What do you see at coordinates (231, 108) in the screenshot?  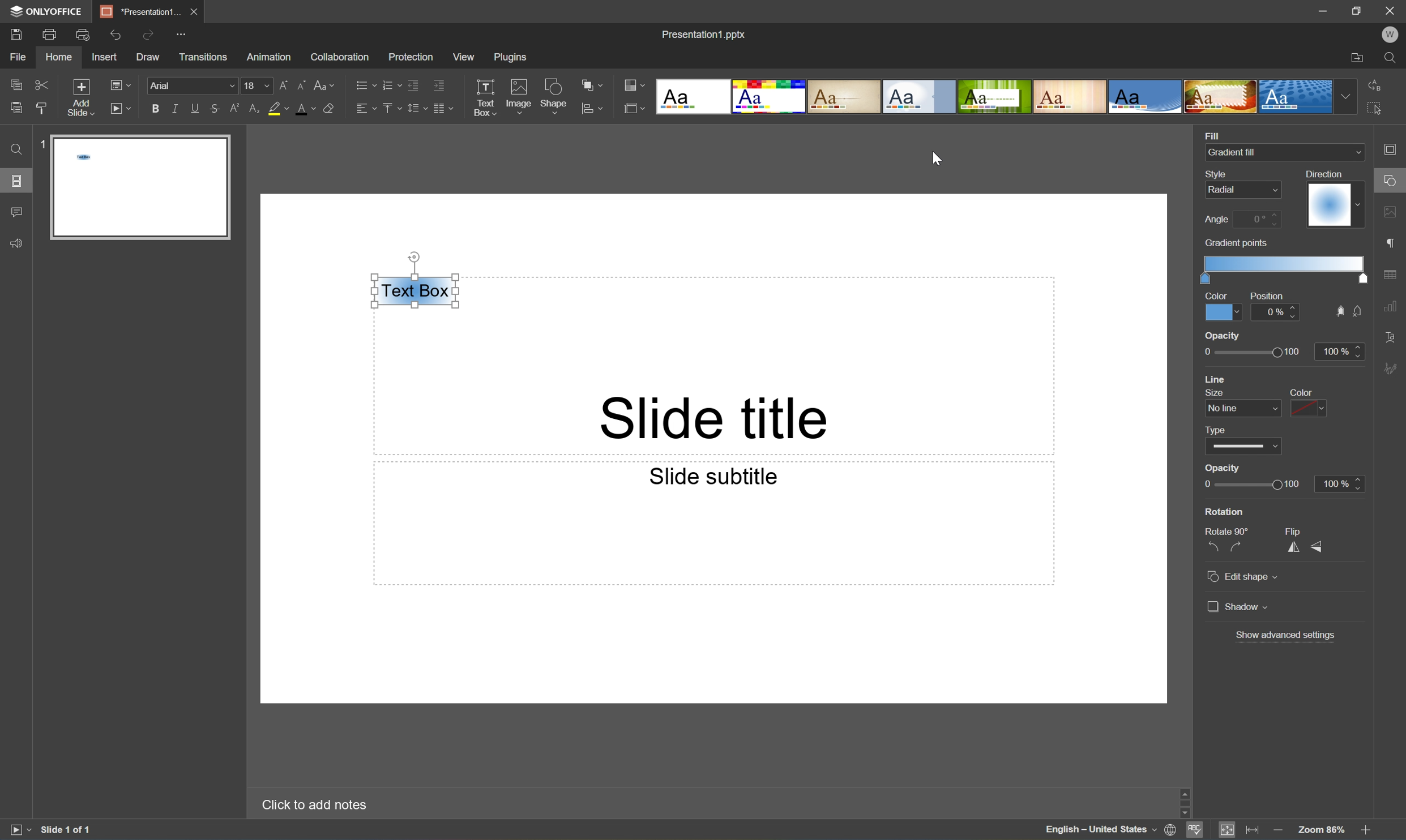 I see `Superscript` at bounding box center [231, 108].